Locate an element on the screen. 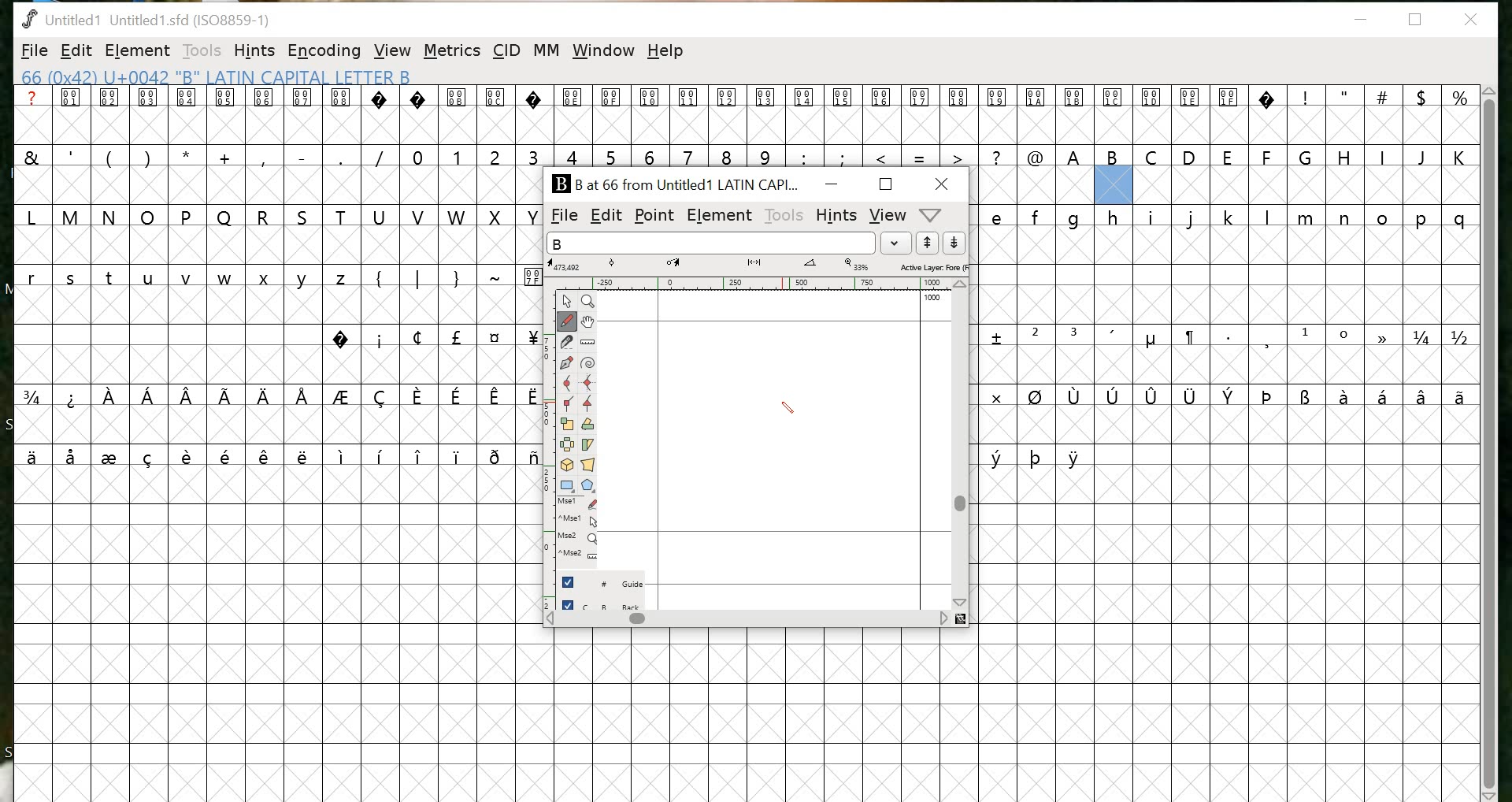 This screenshot has height=802, width=1512. FILE is located at coordinates (33, 52).